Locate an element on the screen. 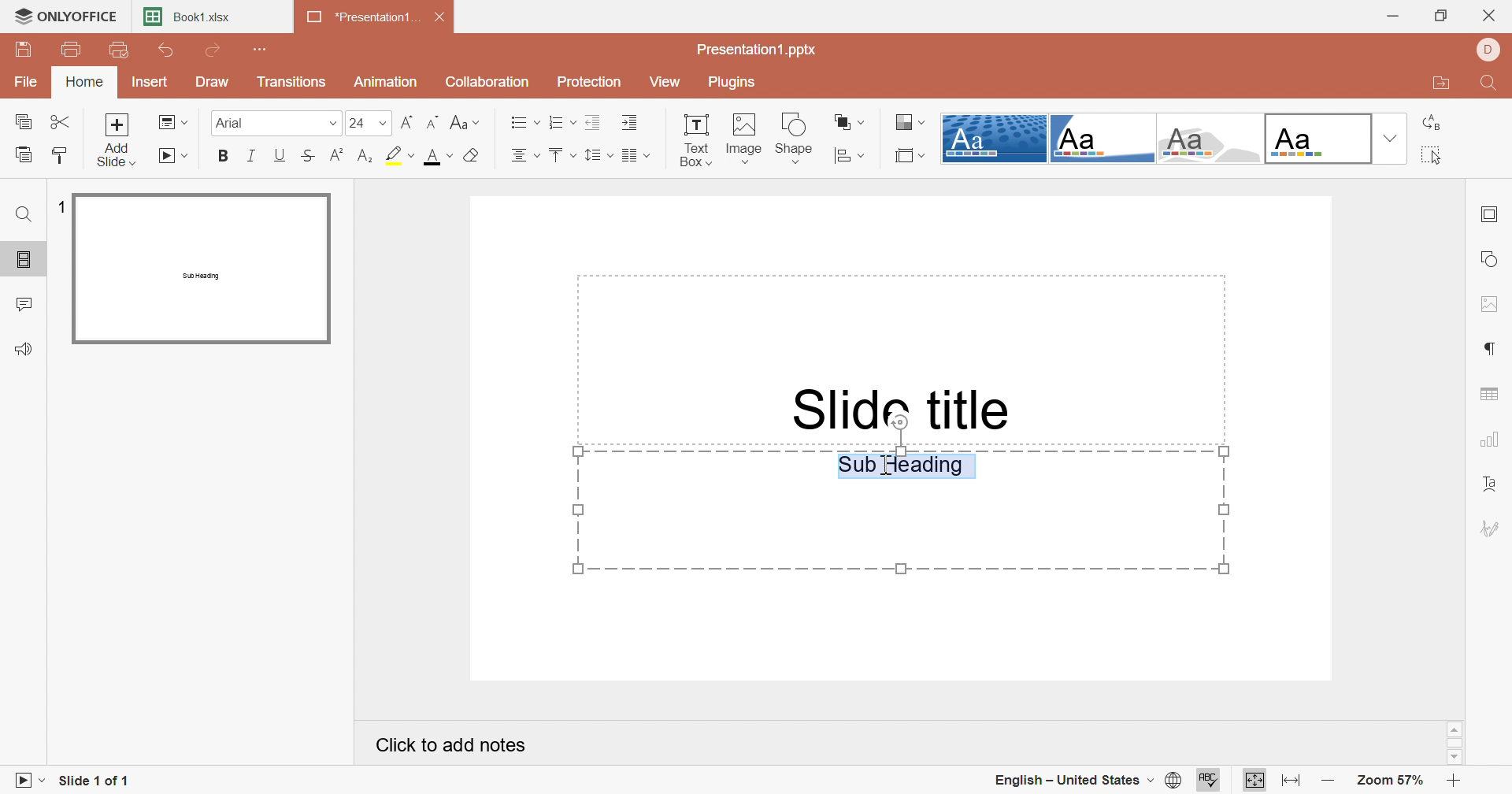 The width and height of the screenshot is (1512, 794). Chart settings is located at coordinates (1489, 442).